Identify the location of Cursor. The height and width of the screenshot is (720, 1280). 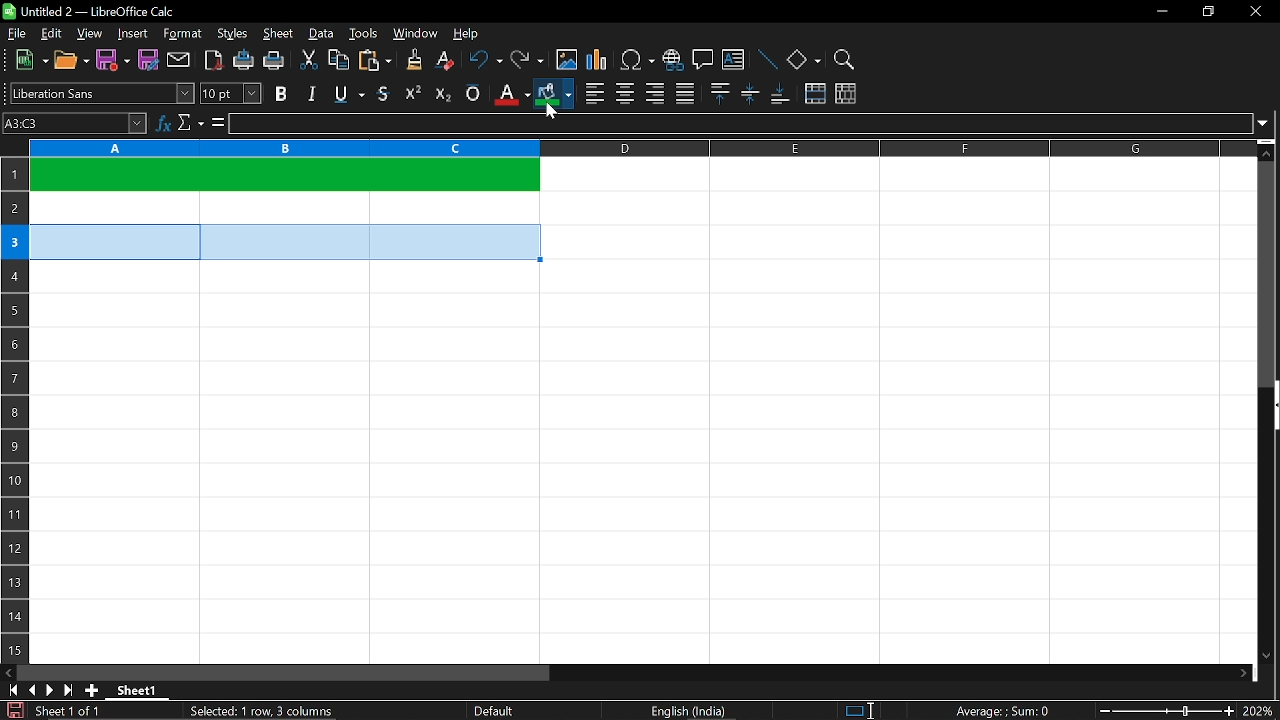
(551, 112).